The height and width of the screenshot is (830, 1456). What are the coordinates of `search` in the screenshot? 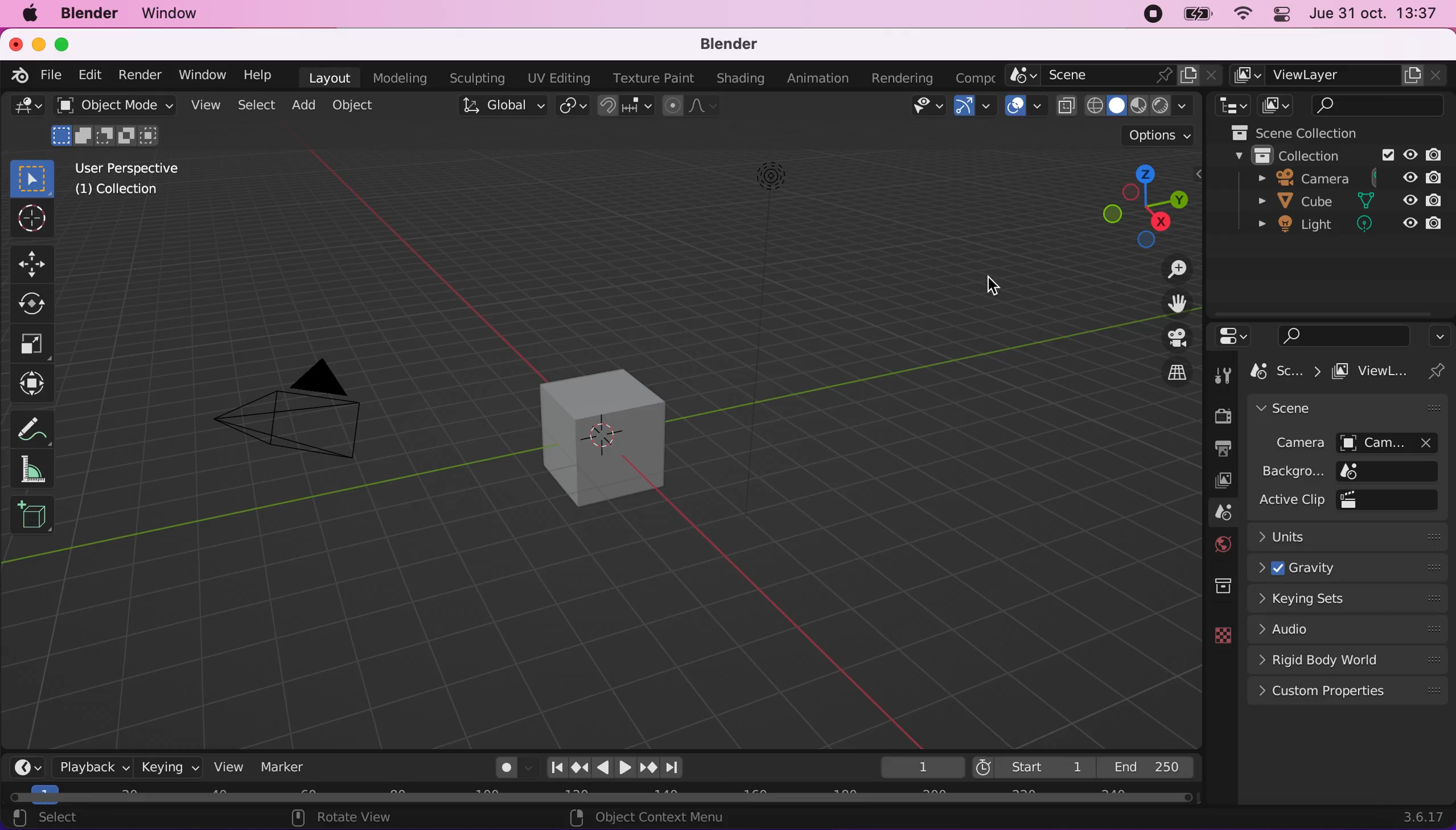 It's located at (1339, 332).